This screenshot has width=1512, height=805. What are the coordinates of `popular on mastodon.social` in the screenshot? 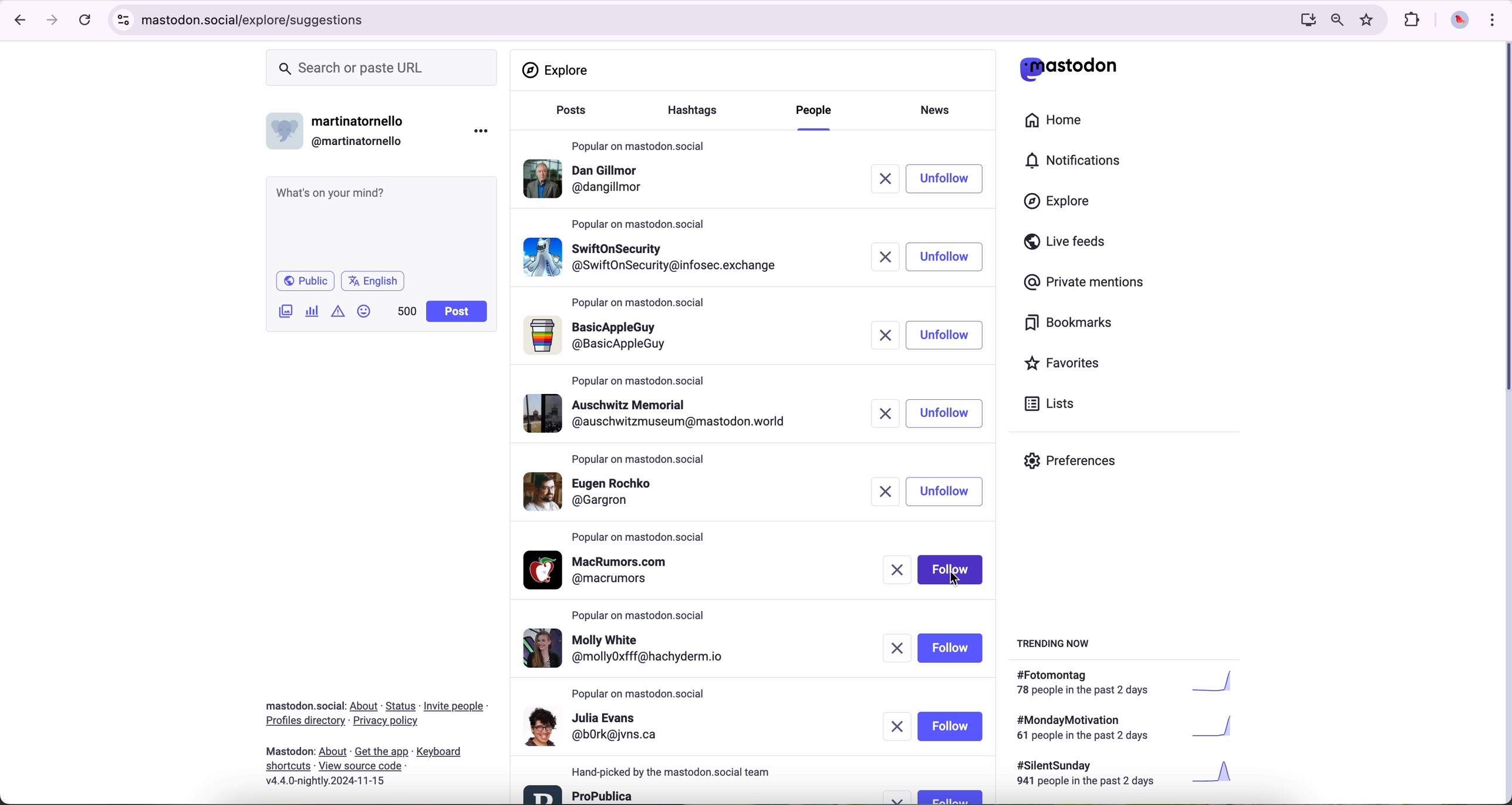 It's located at (640, 694).